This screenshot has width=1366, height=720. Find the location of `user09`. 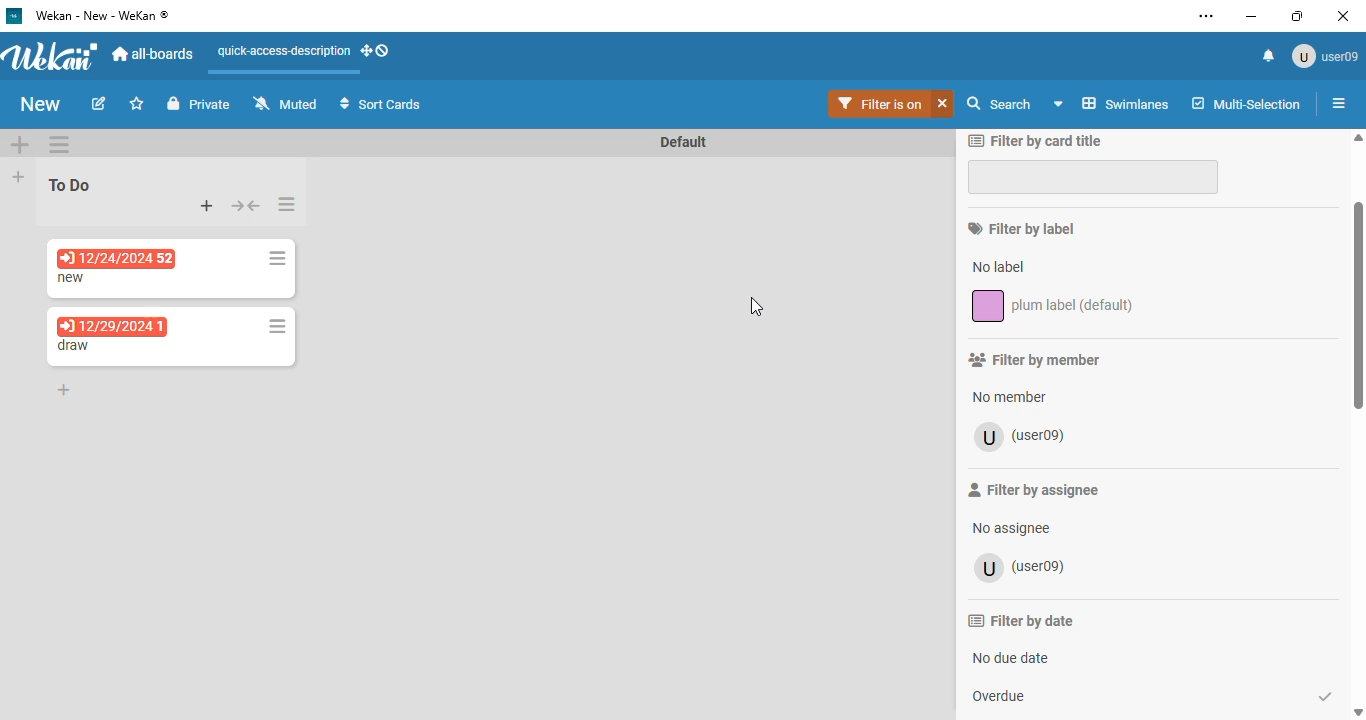

user09 is located at coordinates (1022, 567).